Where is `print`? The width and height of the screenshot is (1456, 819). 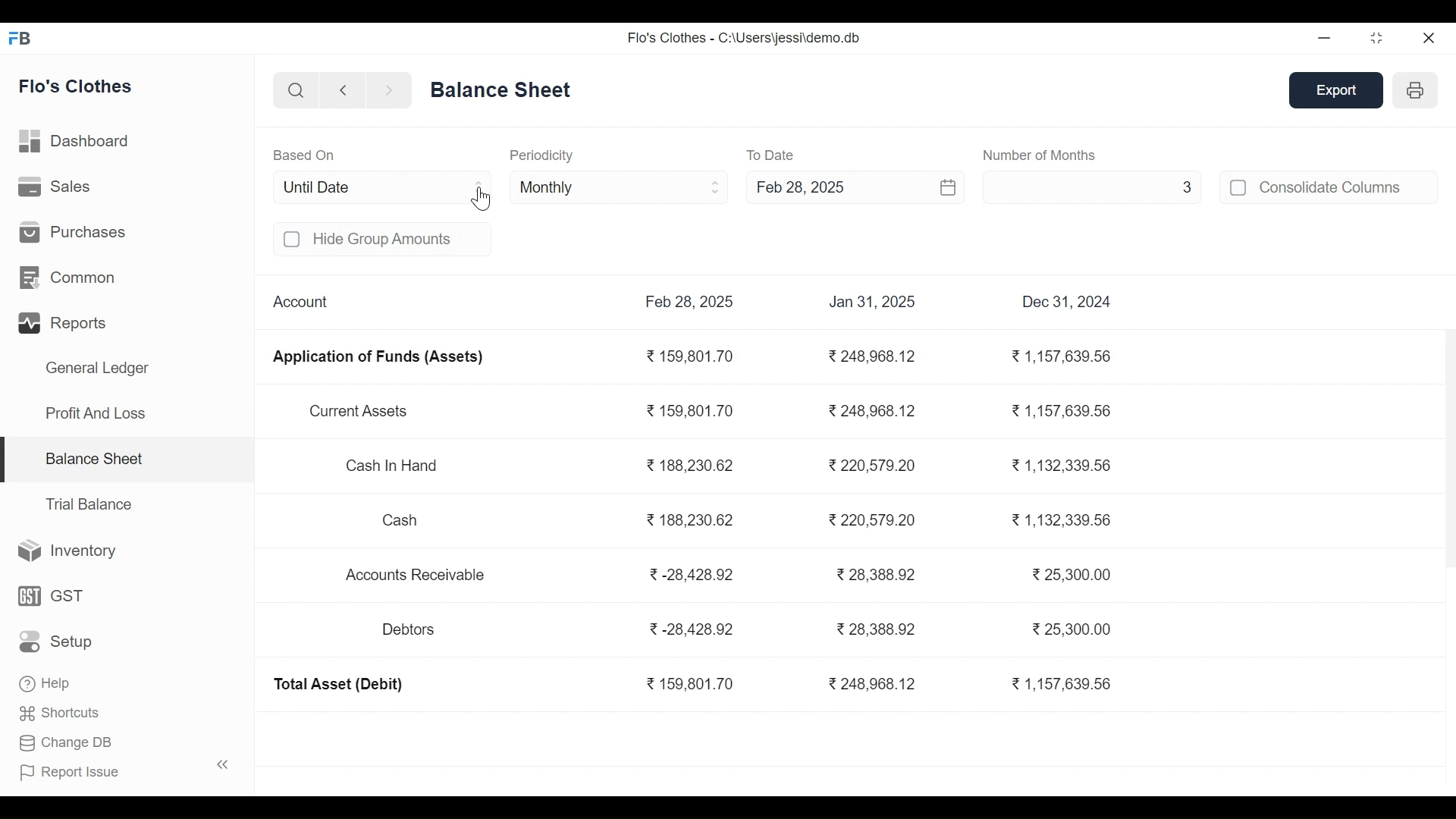
print is located at coordinates (1417, 89).